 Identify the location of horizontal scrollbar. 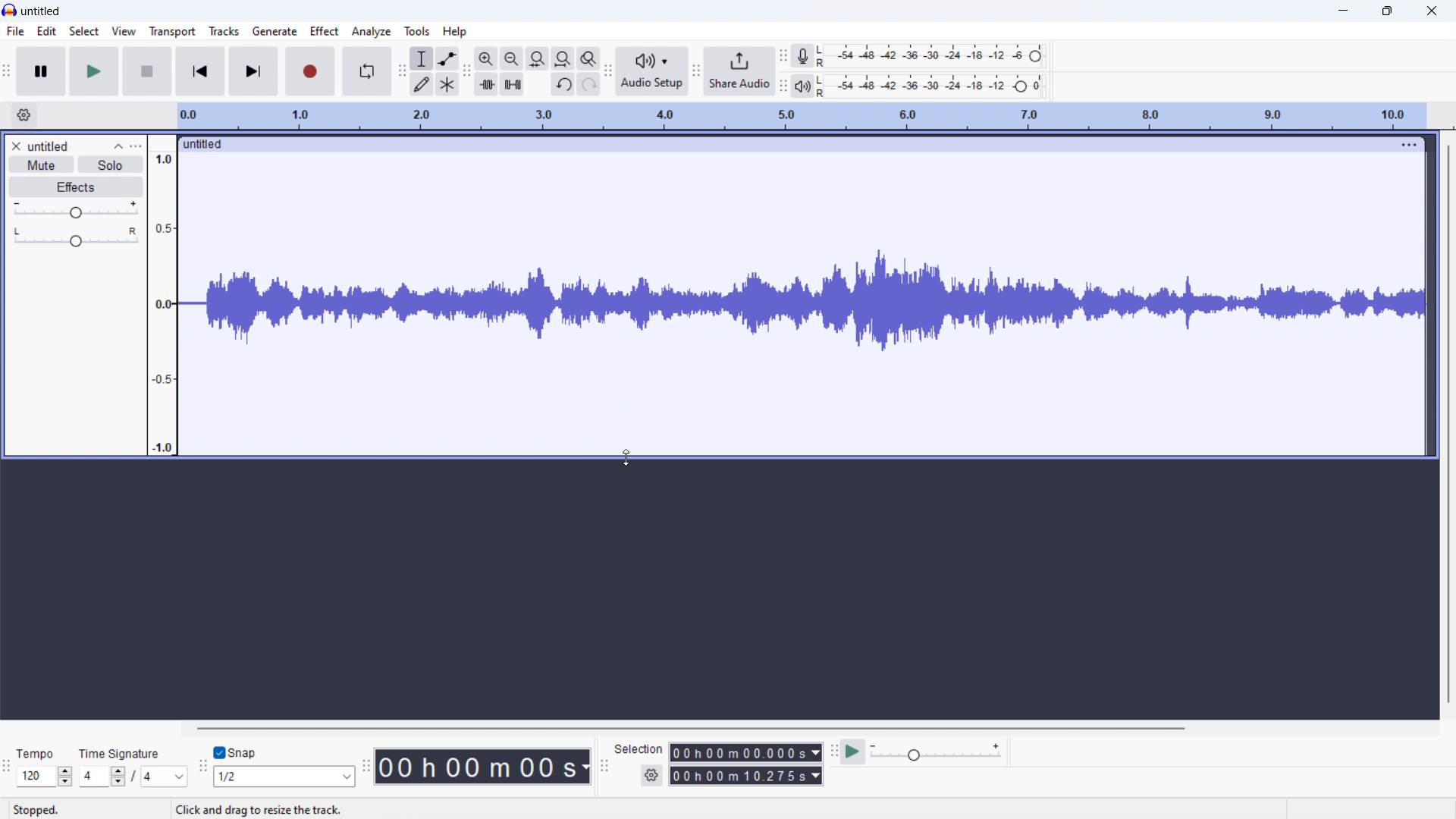
(689, 726).